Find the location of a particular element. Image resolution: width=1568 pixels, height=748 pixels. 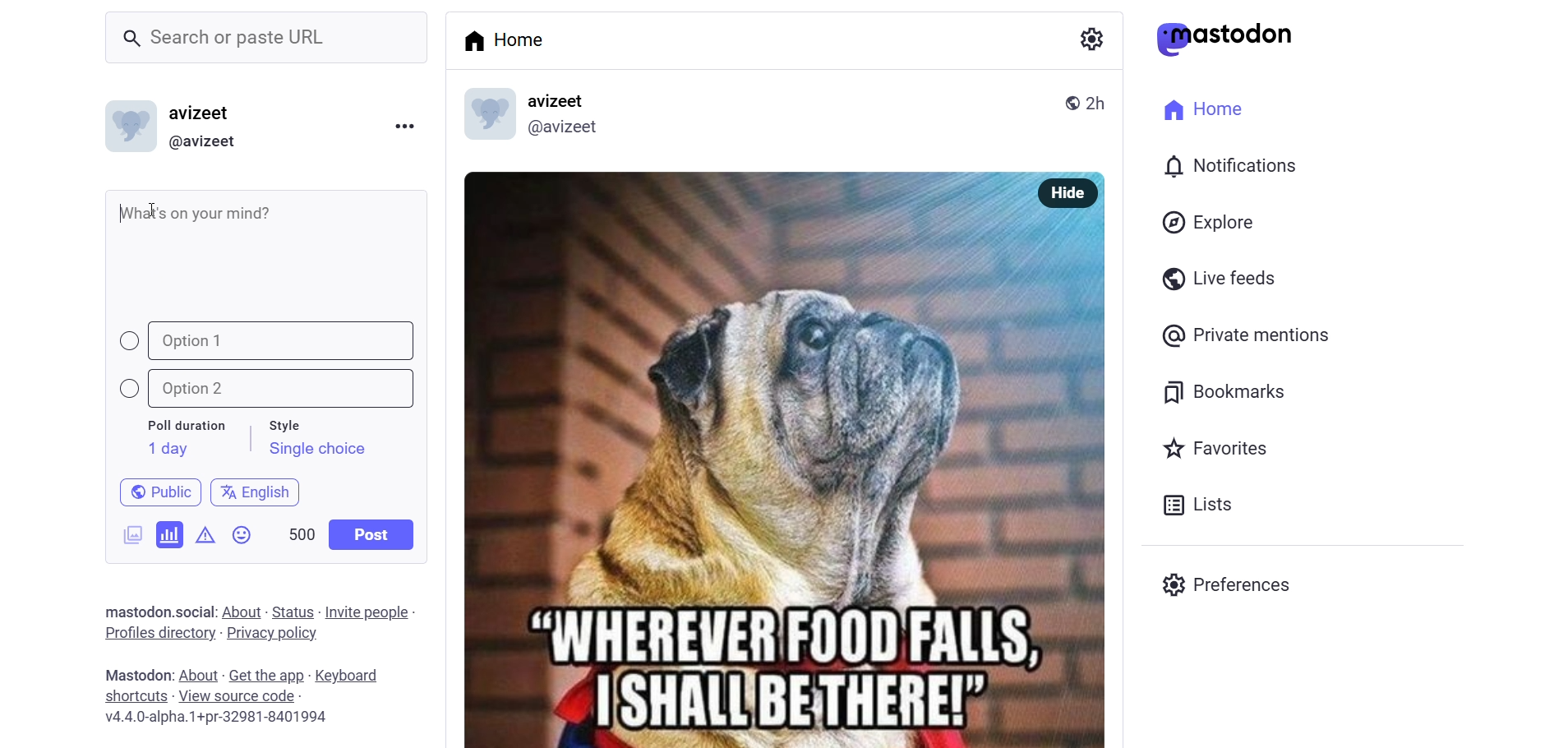

profiles is located at coordinates (159, 632).